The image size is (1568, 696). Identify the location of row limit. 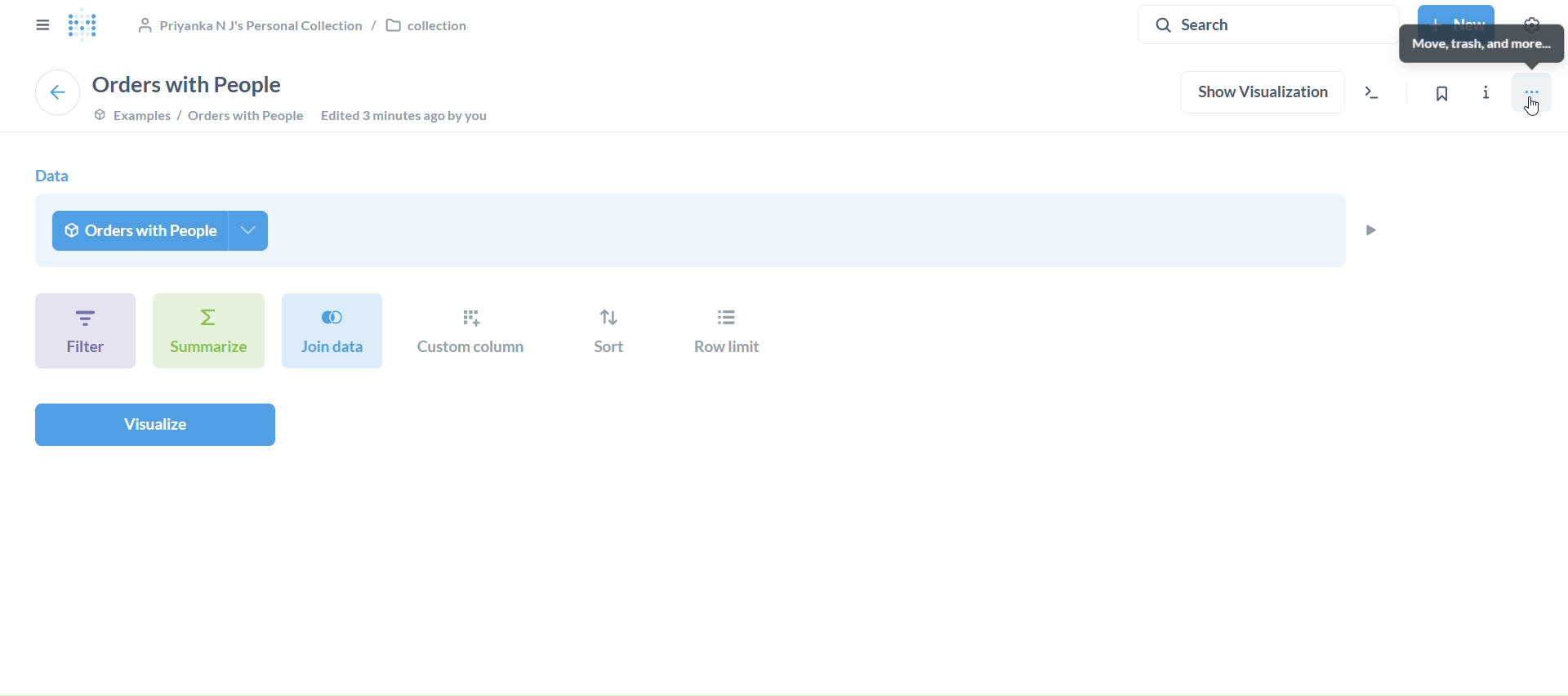
(731, 333).